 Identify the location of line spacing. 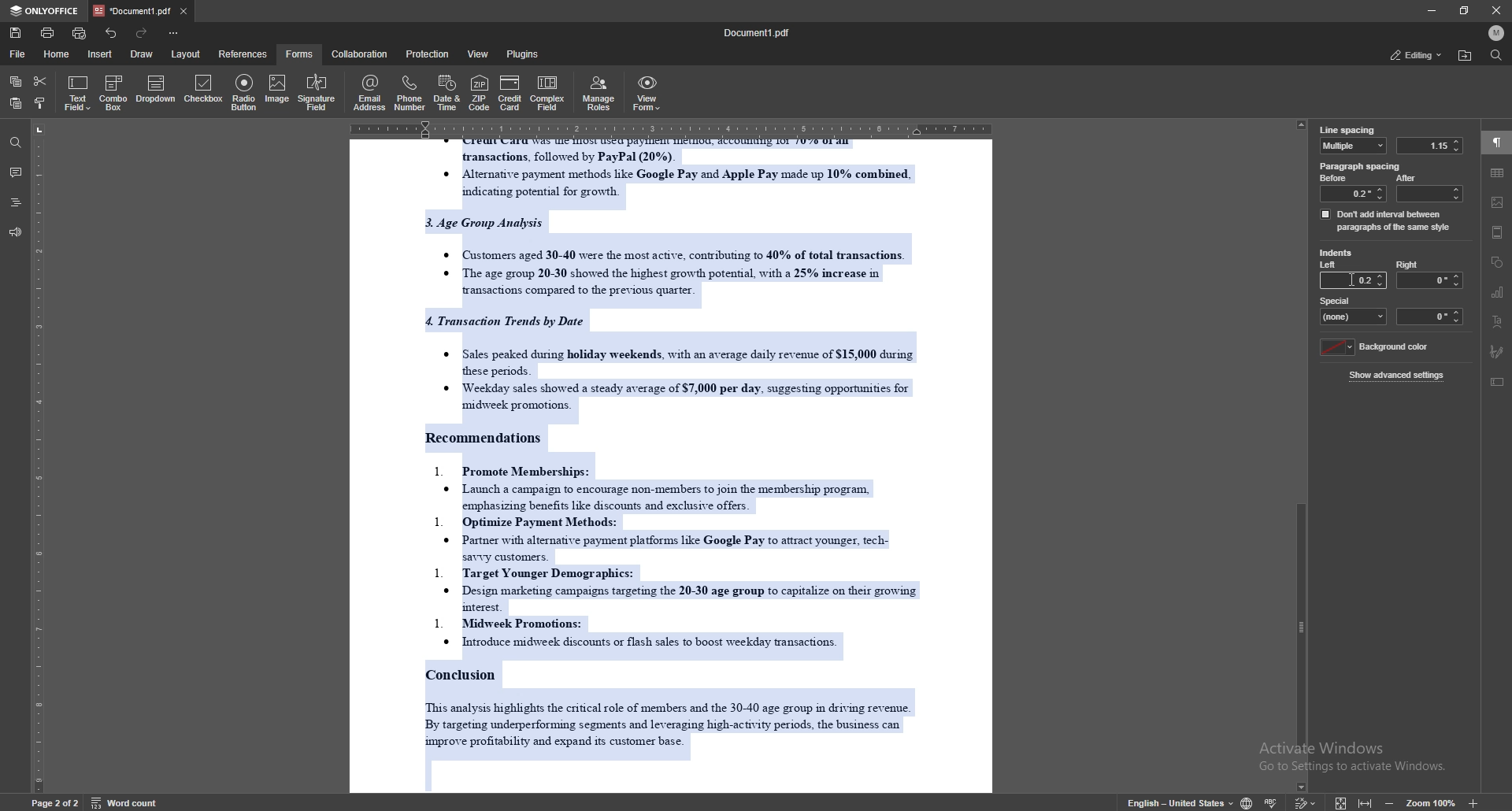
(1347, 130).